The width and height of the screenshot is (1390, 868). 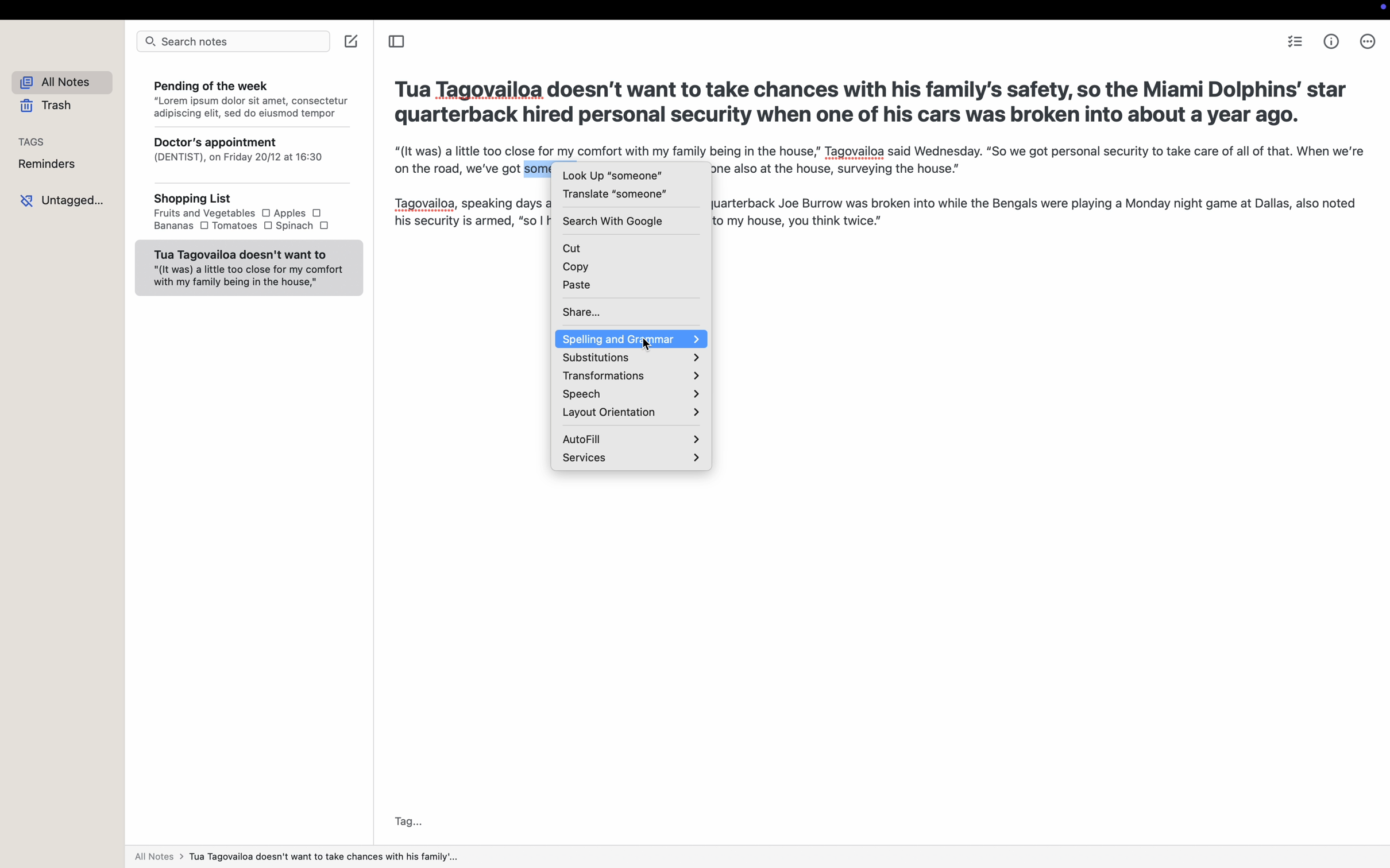 I want to click on share, so click(x=631, y=311).